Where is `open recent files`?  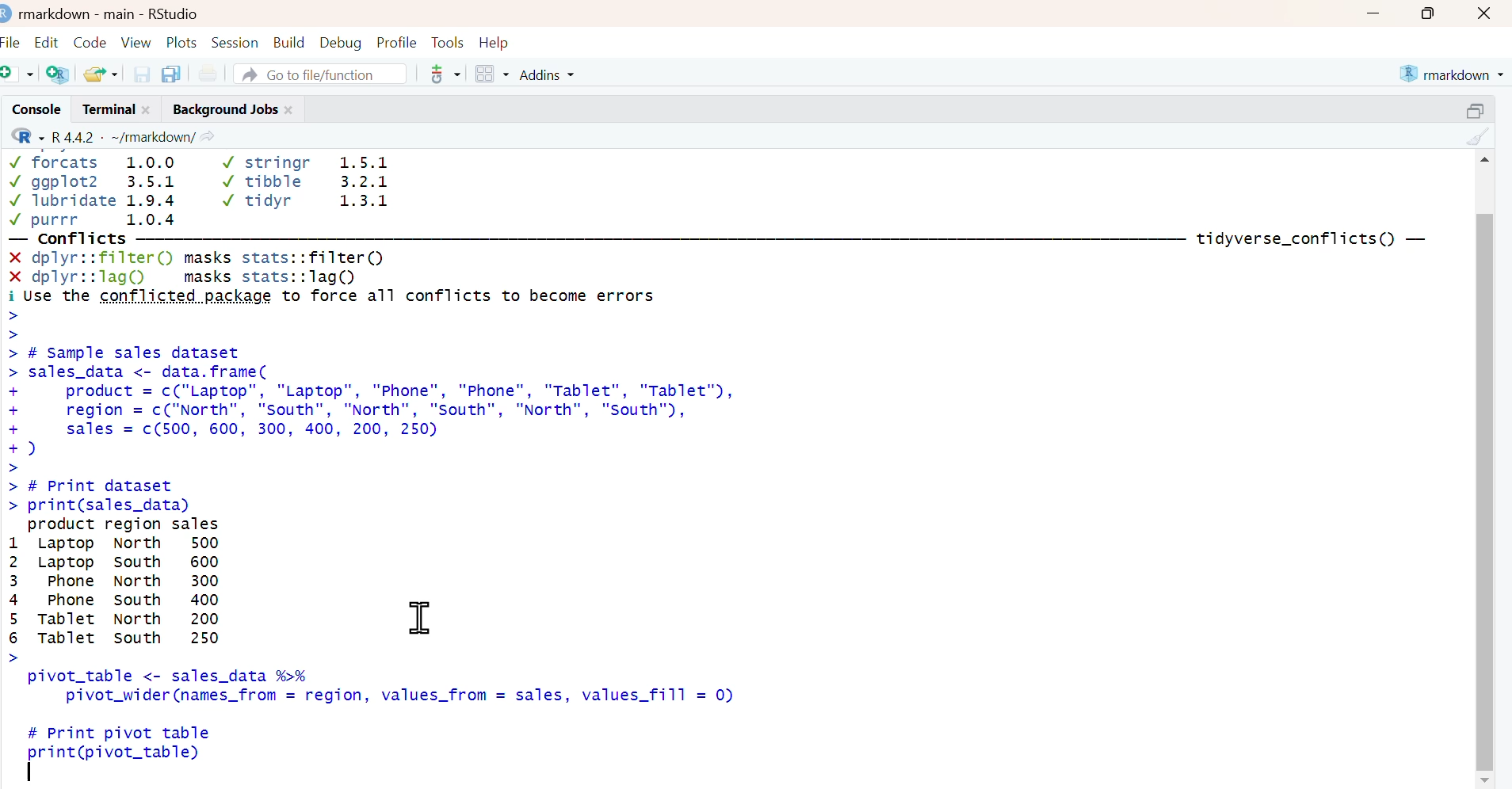 open recent files is located at coordinates (101, 72).